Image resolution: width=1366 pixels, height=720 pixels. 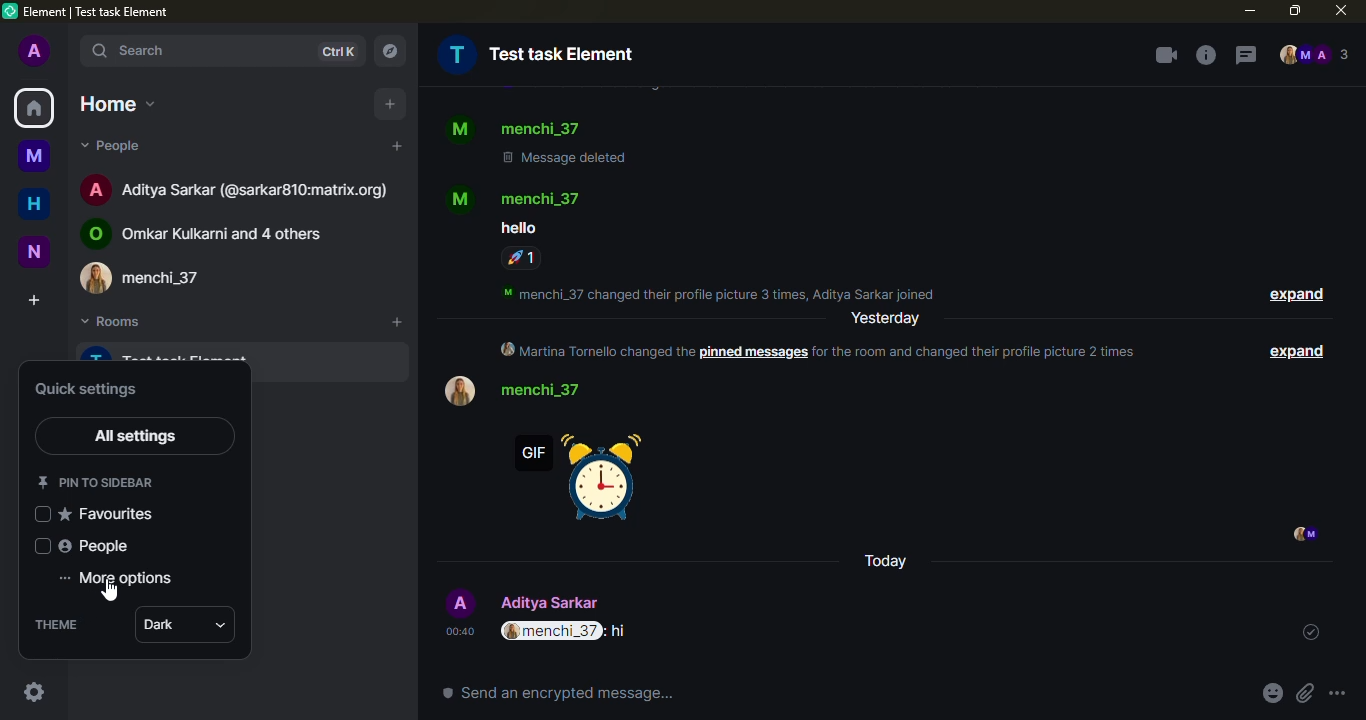 What do you see at coordinates (11, 11) in the screenshot?
I see `logo` at bounding box center [11, 11].